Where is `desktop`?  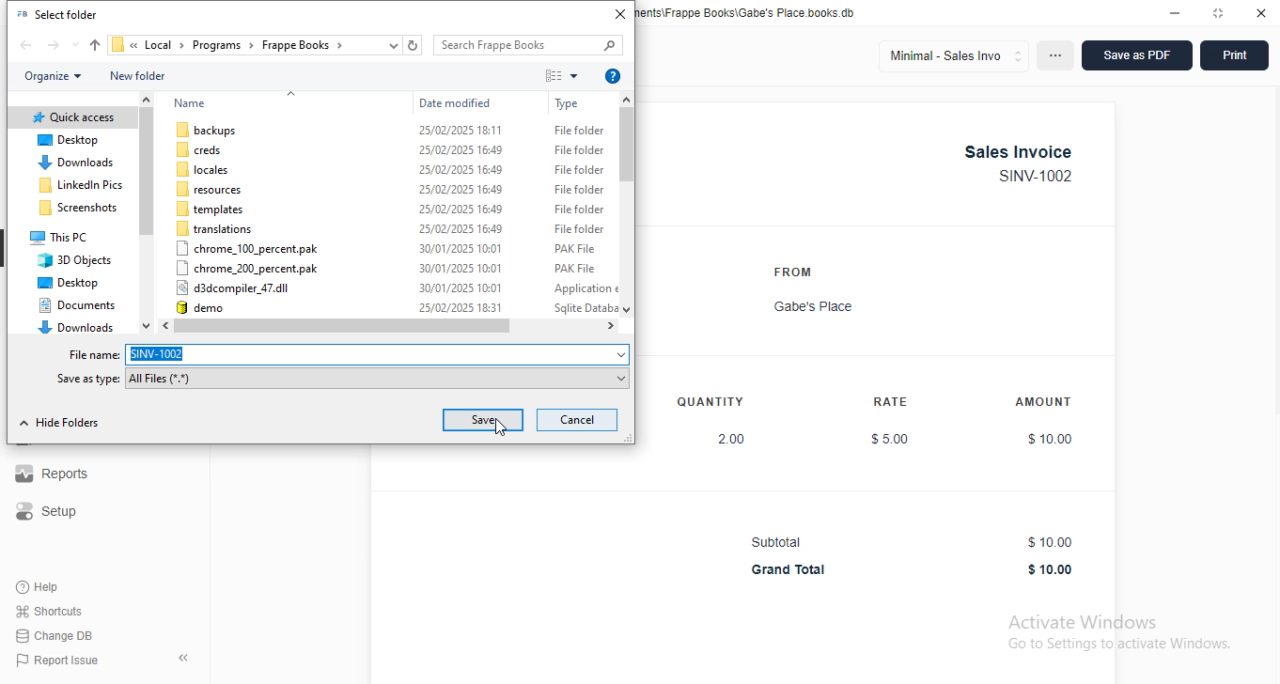
desktop is located at coordinates (67, 283).